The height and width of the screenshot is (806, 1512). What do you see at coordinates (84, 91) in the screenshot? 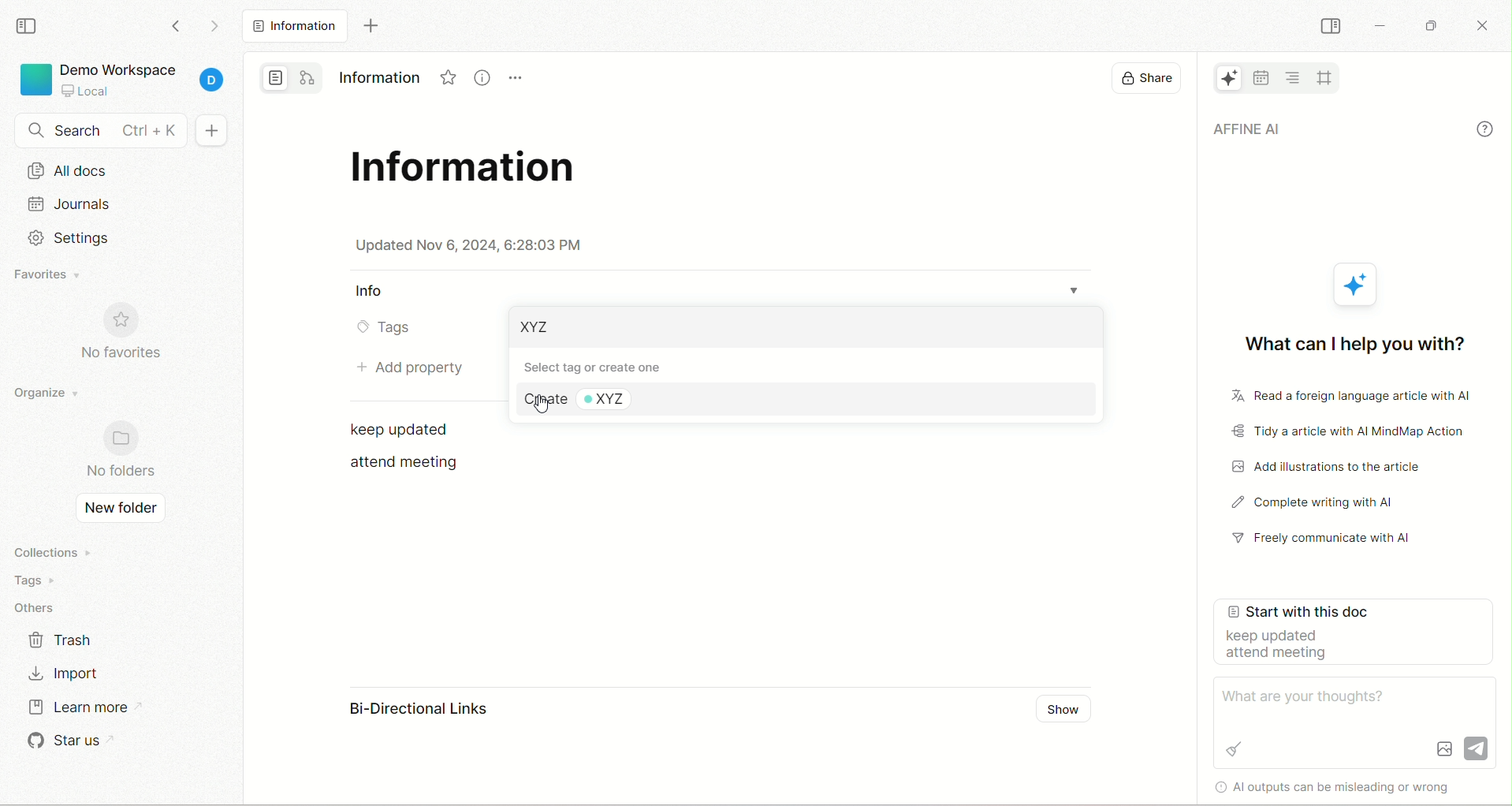
I see `local` at bounding box center [84, 91].